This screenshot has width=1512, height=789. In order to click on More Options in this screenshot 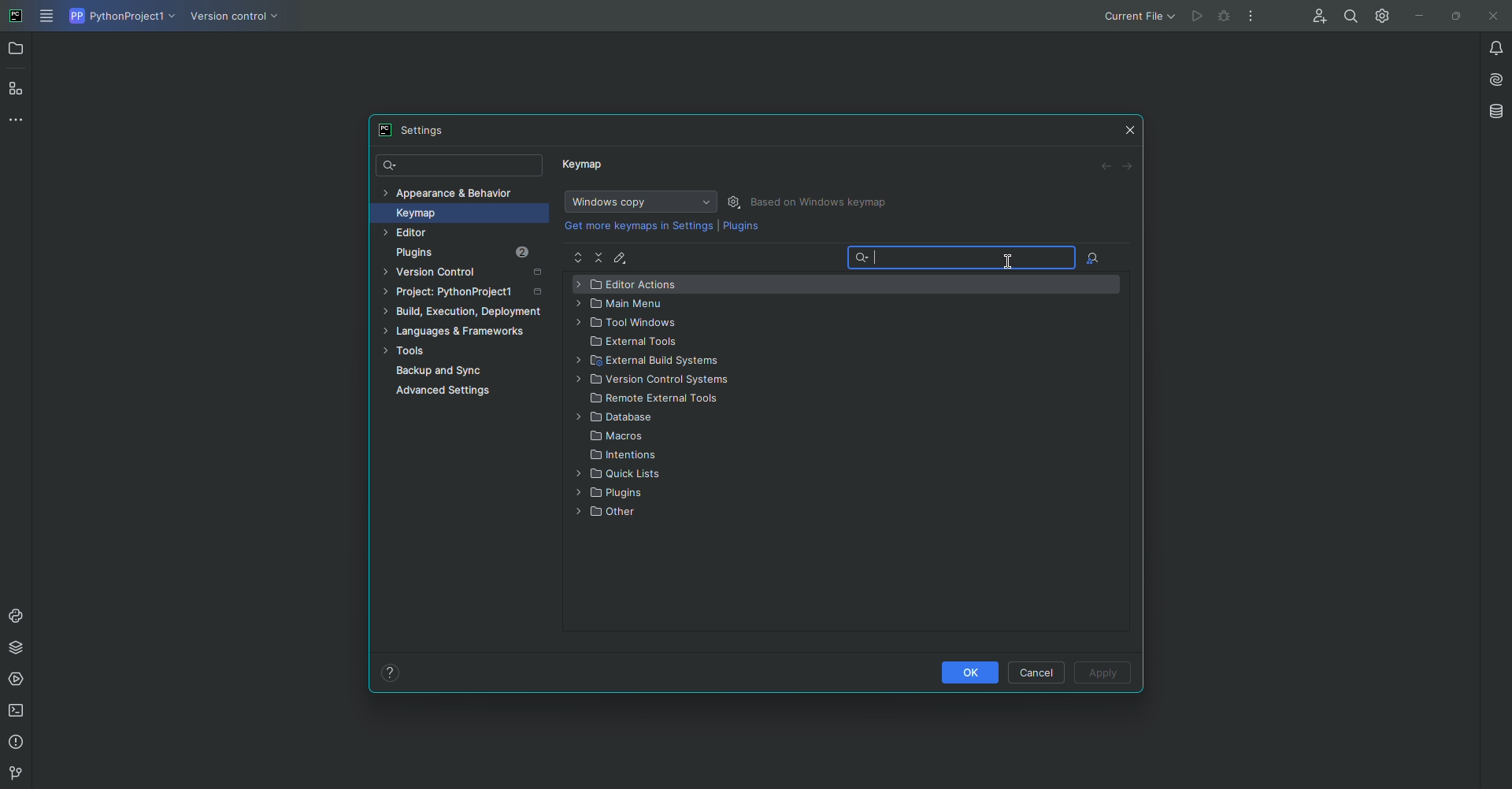, I will do `click(1254, 20)`.